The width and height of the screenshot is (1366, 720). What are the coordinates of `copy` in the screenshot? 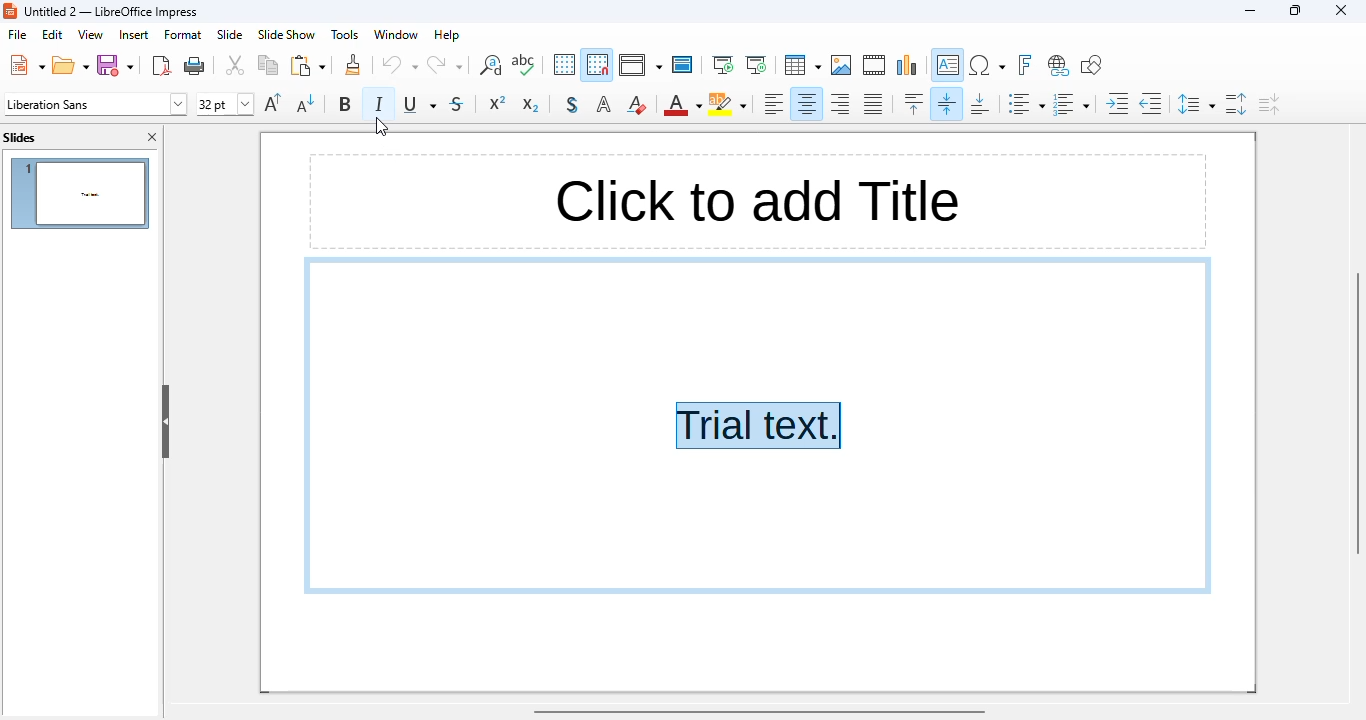 It's located at (268, 65).